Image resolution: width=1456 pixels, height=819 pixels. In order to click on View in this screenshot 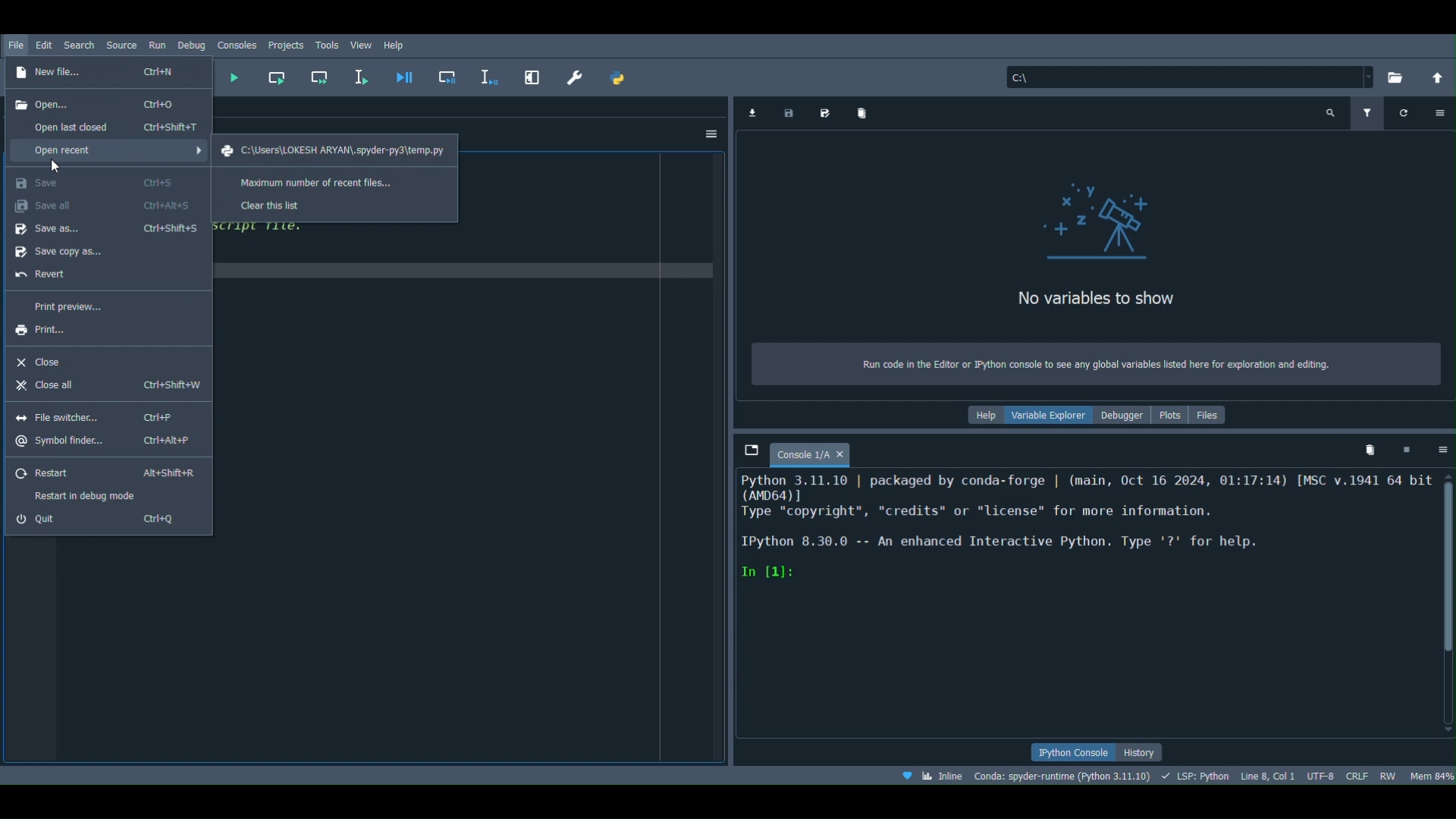, I will do `click(364, 44)`.